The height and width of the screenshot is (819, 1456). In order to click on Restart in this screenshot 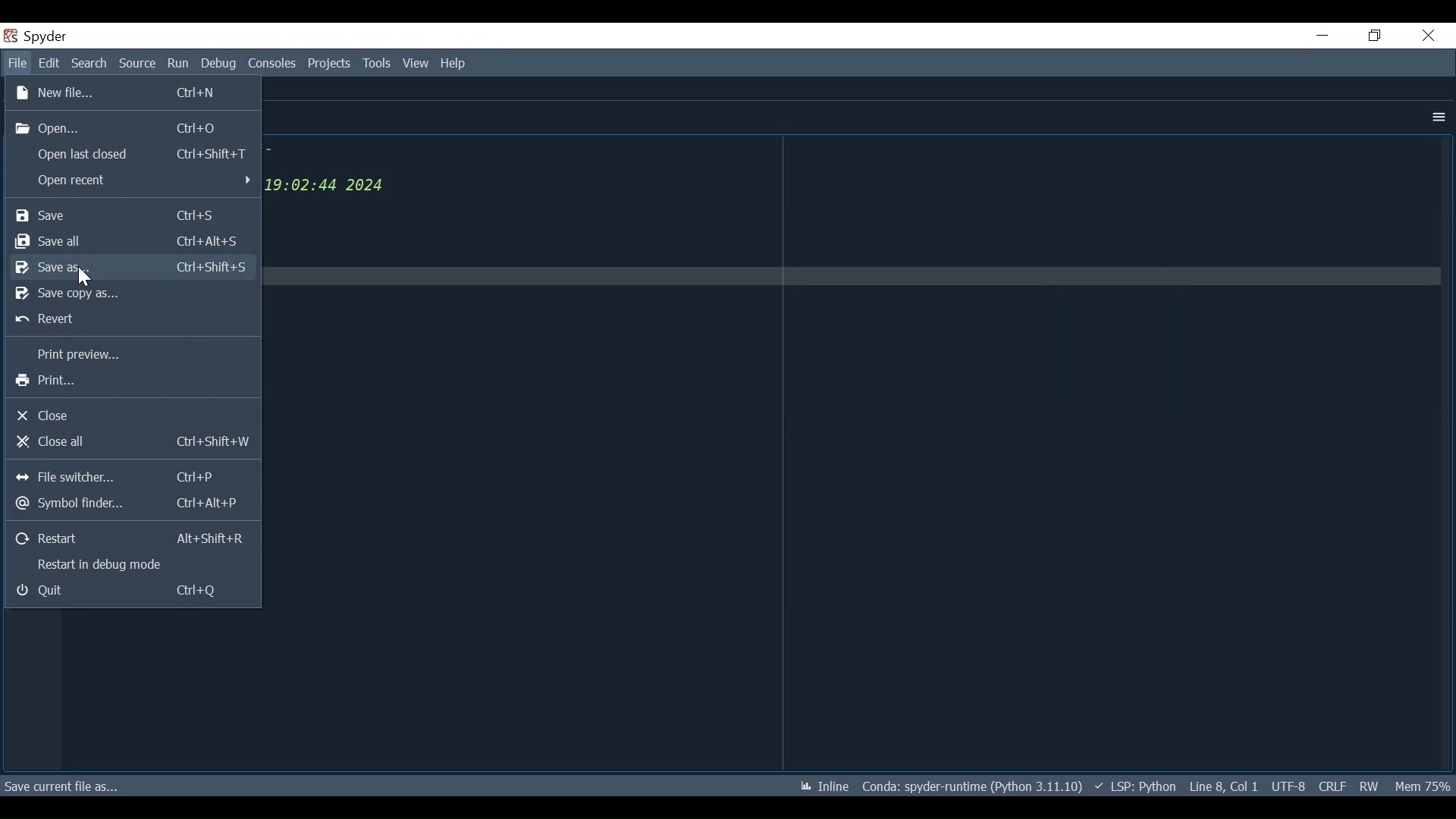, I will do `click(133, 538)`.